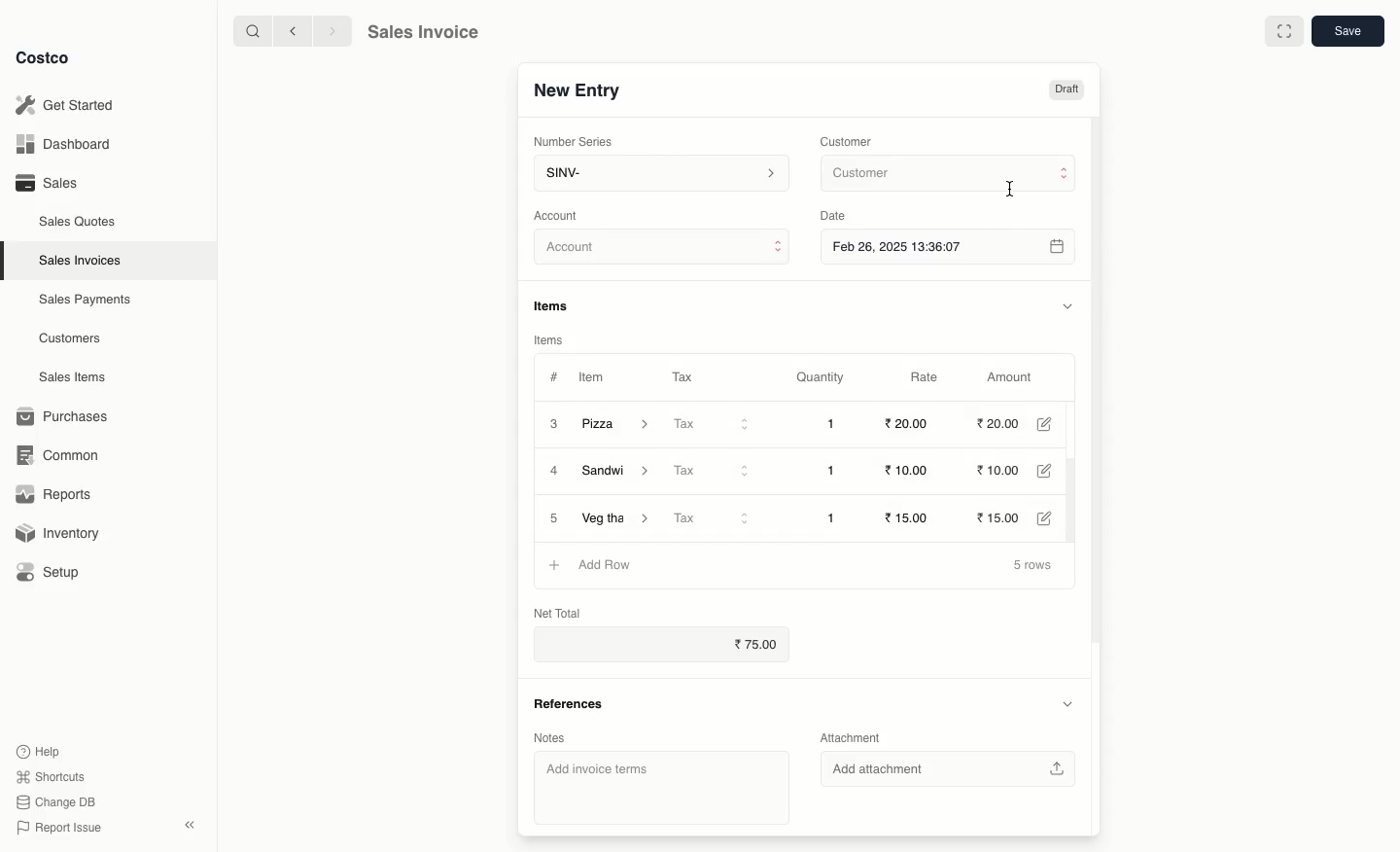 The height and width of the screenshot is (852, 1400). What do you see at coordinates (849, 140) in the screenshot?
I see `Customer` at bounding box center [849, 140].